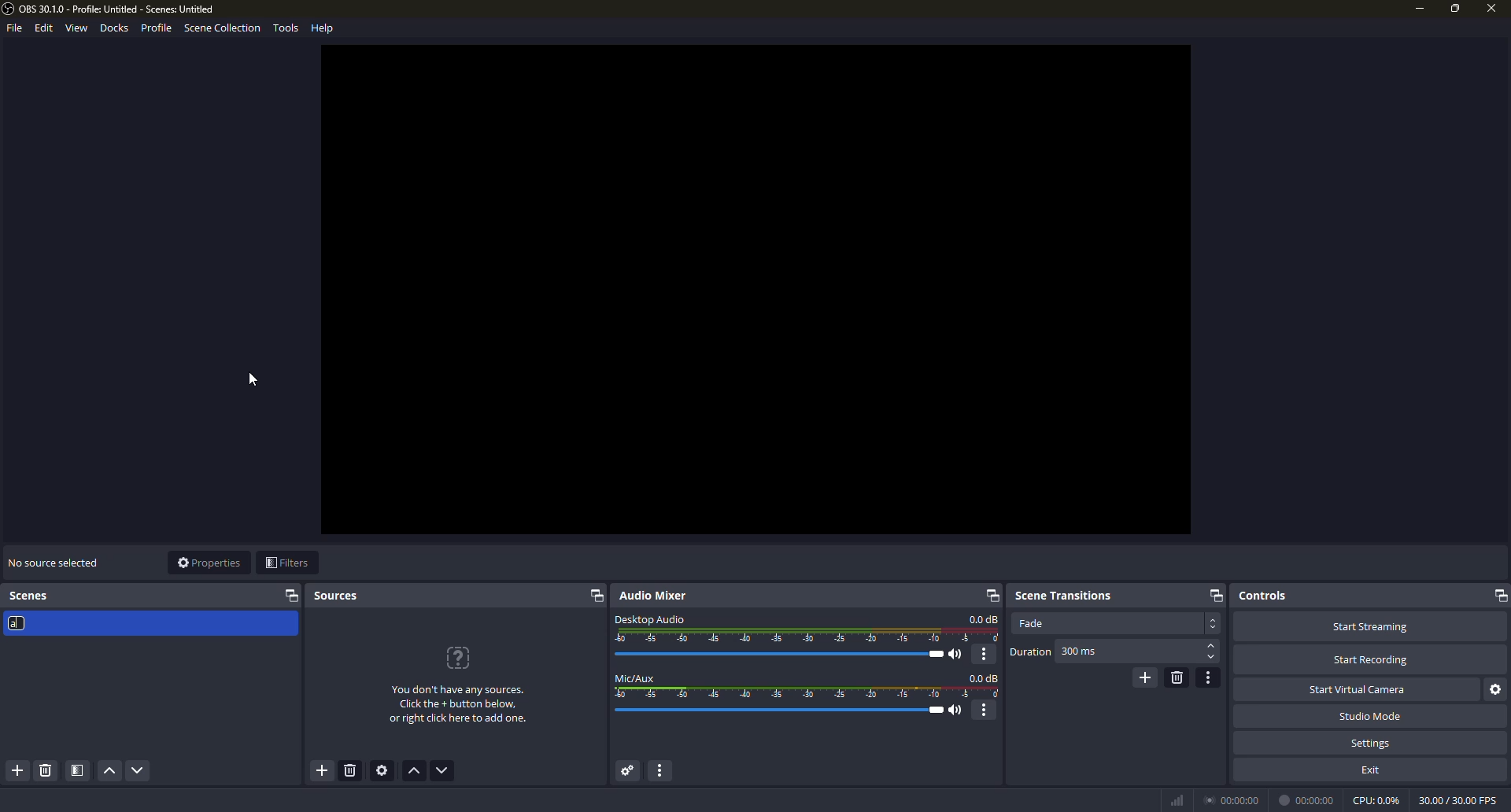 This screenshot has width=1511, height=812. Describe the element at coordinates (286, 29) in the screenshot. I see `tools` at that location.